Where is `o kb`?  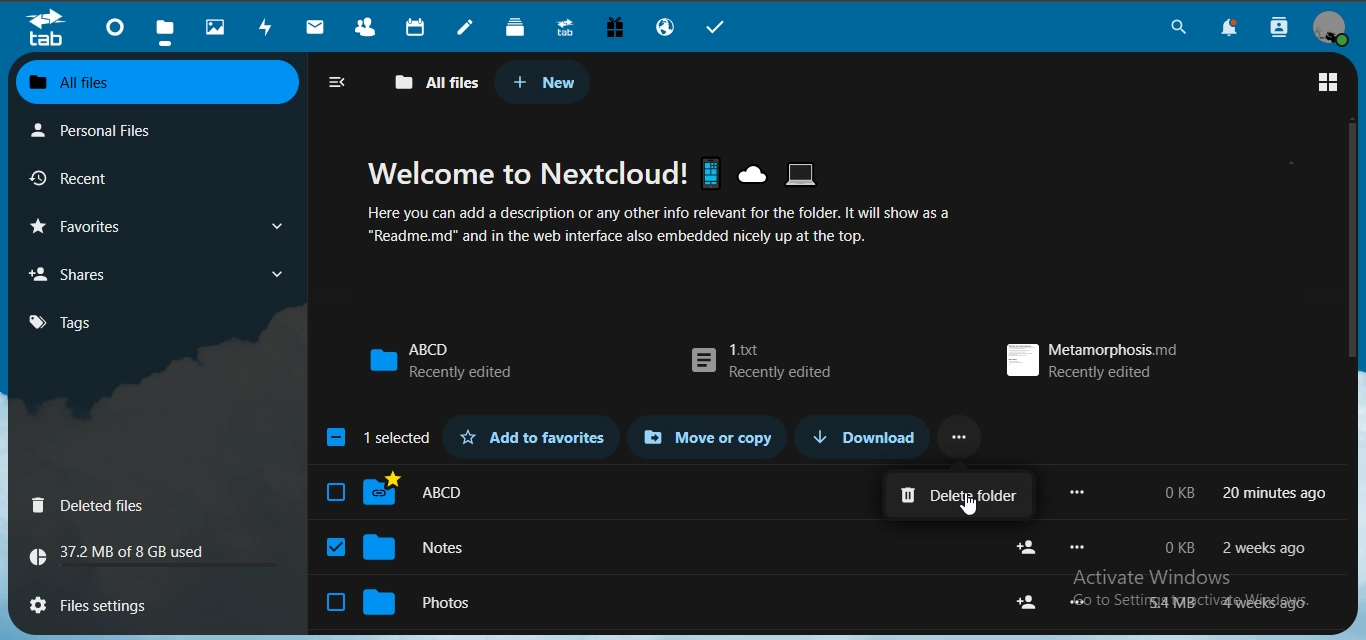 o kb is located at coordinates (1174, 547).